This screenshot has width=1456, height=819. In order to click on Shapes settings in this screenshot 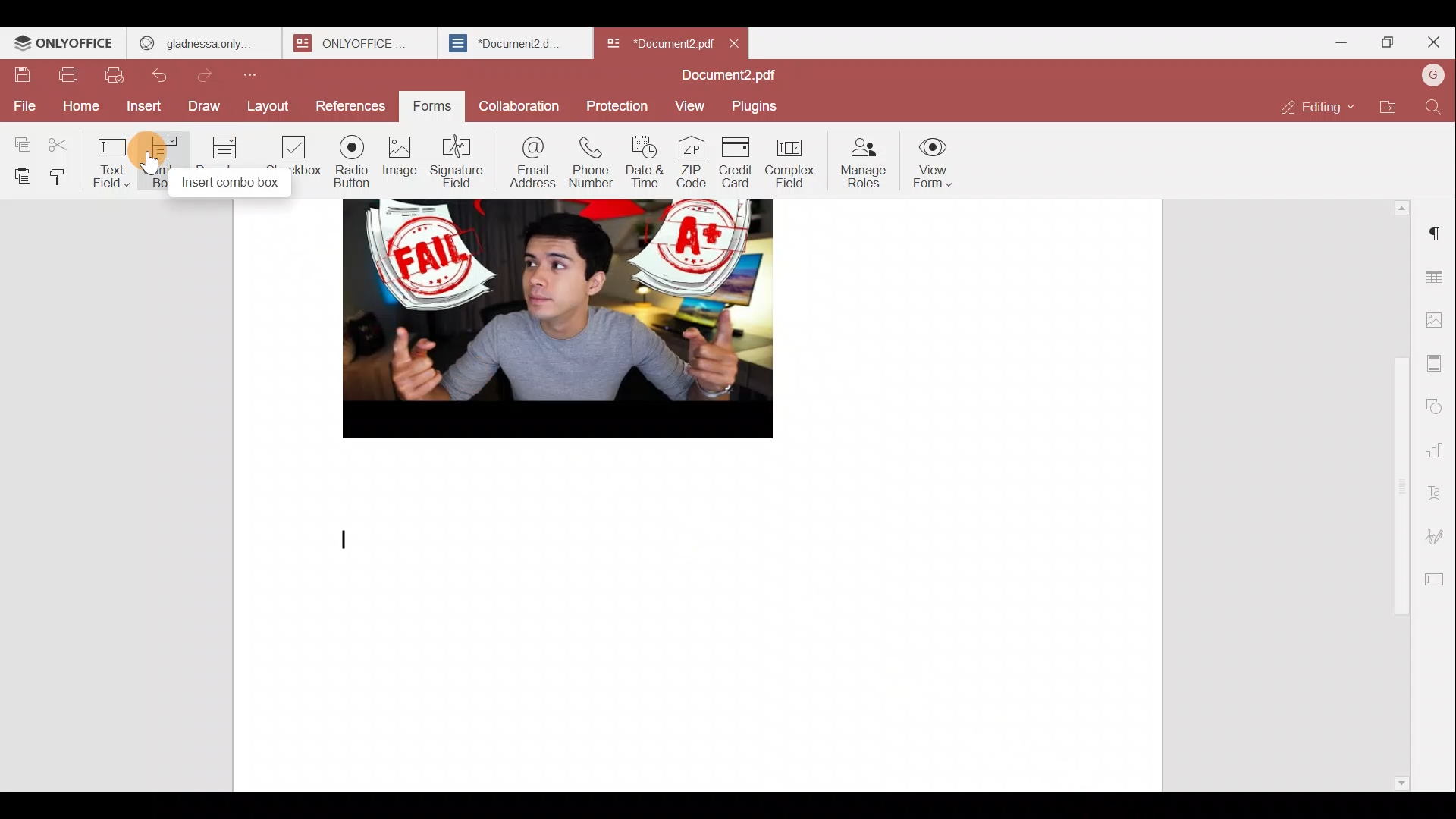, I will do `click(1439, 403)`.